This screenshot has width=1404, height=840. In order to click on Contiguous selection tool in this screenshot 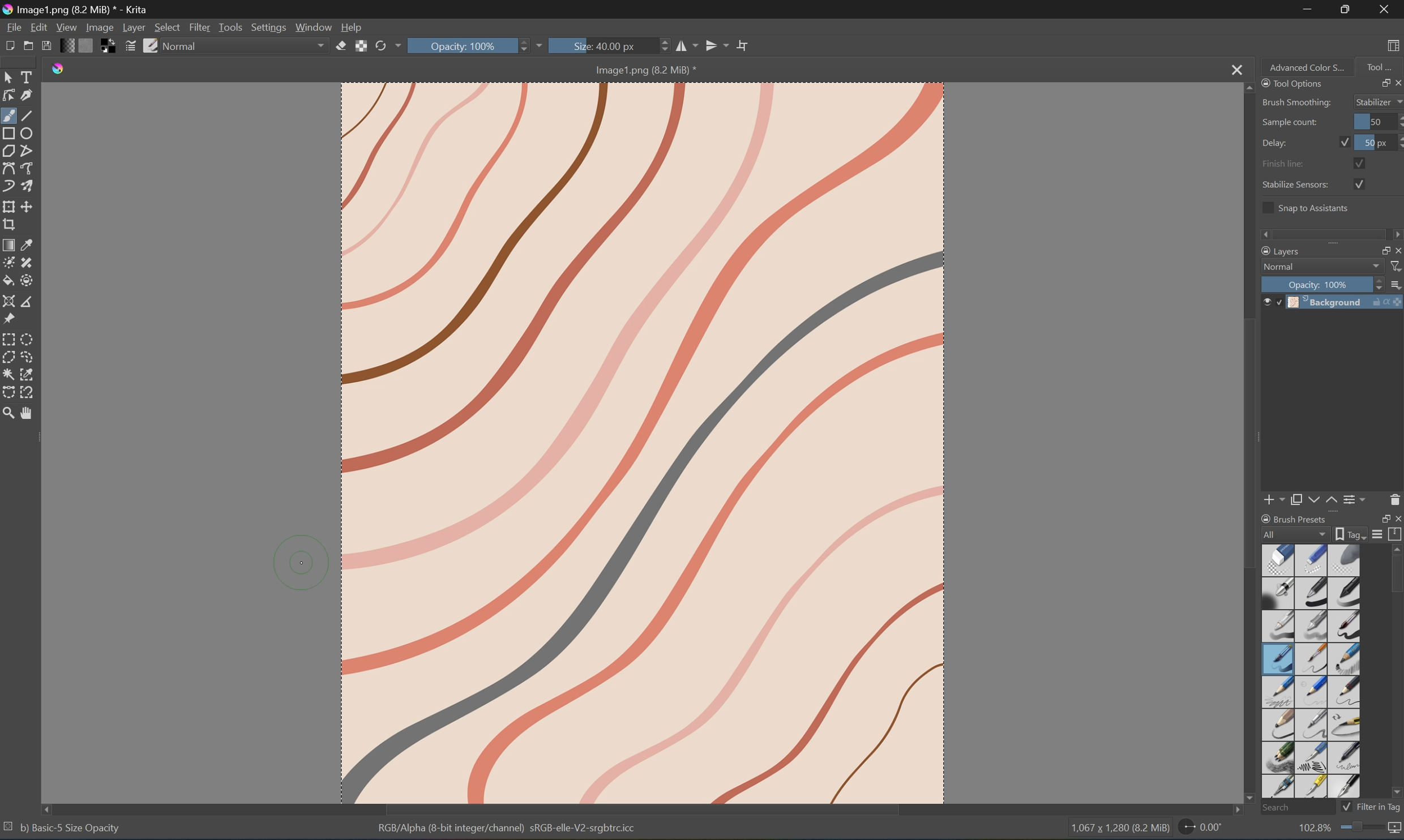, I will do `click(9, 374)`.